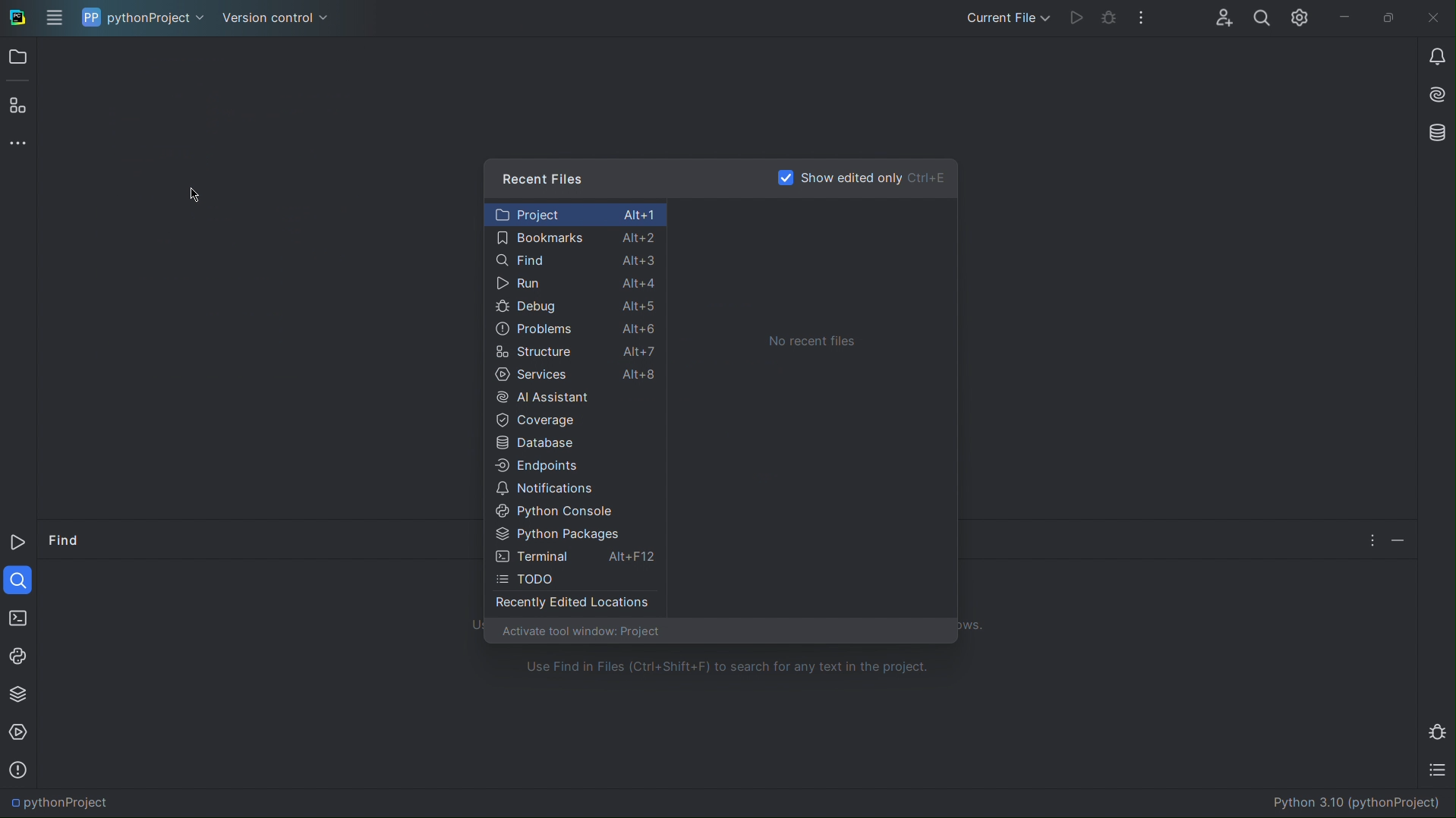 The image size is (1456, 818). Describe the element at coordinates (1439, 731) in the screenshot. I see `Debug` at that location.